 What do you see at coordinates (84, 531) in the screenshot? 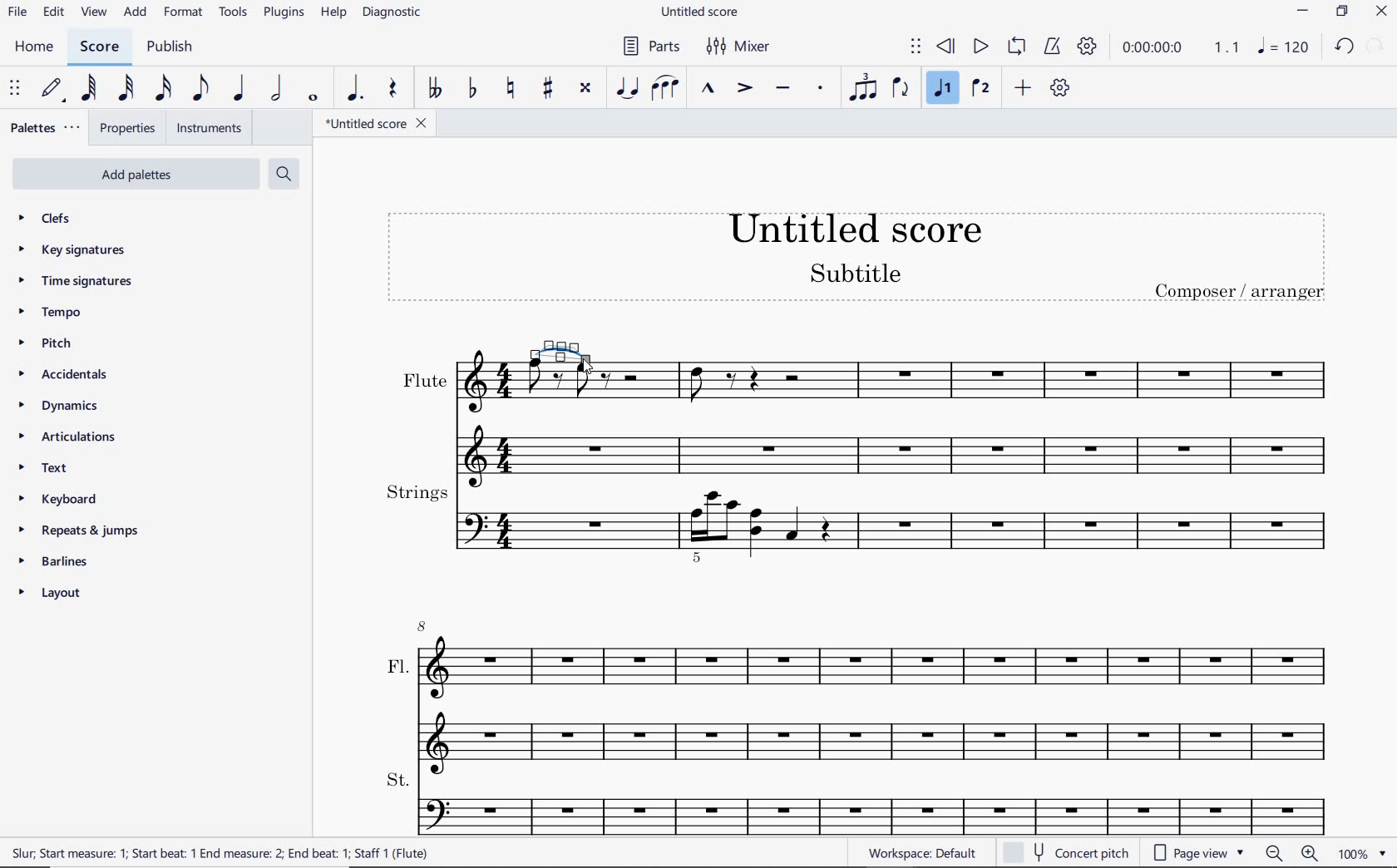
I see `repeats & jumps` at bounding box center [84, 531].